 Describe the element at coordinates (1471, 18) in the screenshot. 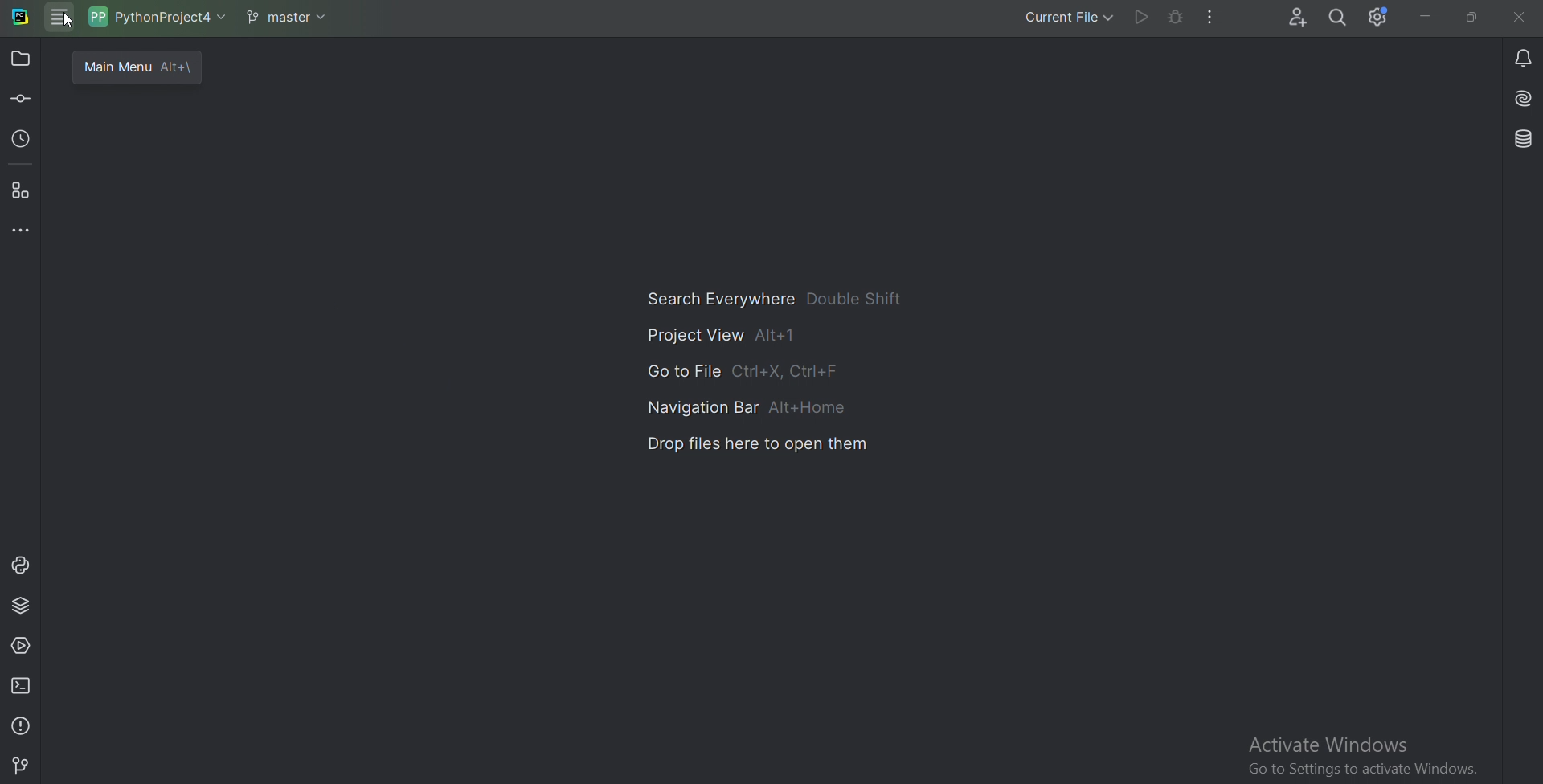

I see `Restore down` at that location.